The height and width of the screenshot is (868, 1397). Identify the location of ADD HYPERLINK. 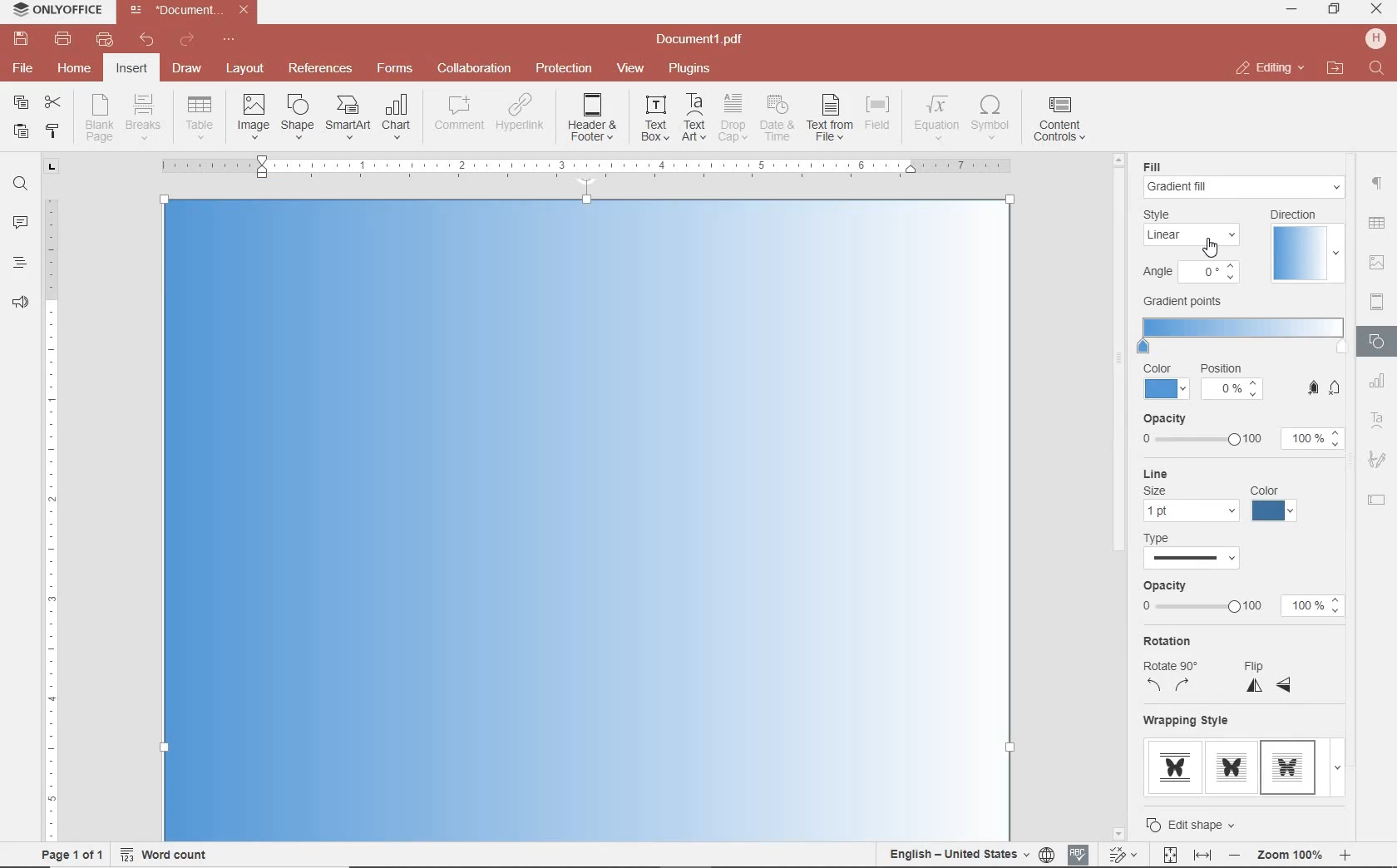
(521, 116).